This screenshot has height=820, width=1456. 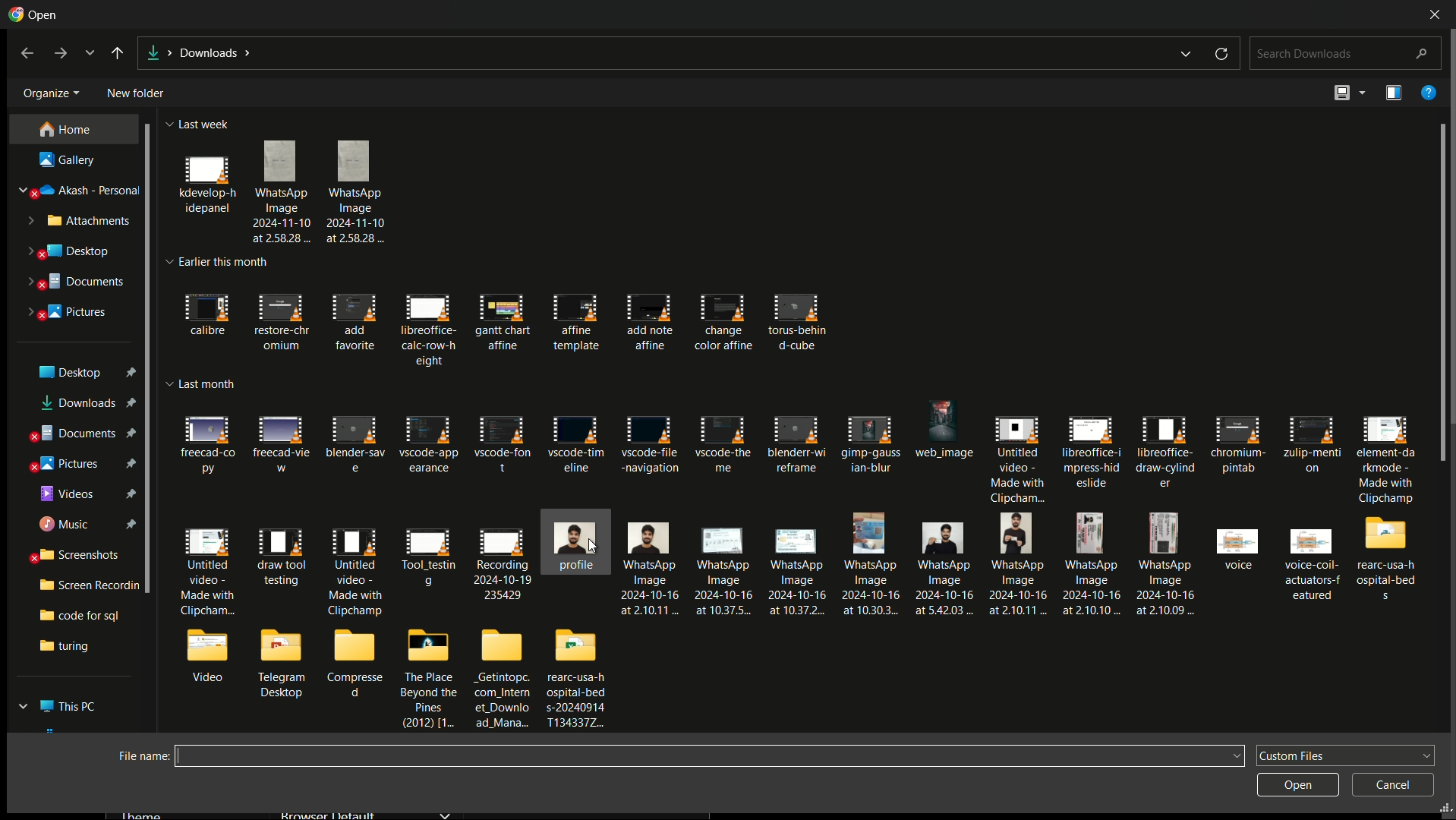 I want to click on last week, so click(x=203, y=125).